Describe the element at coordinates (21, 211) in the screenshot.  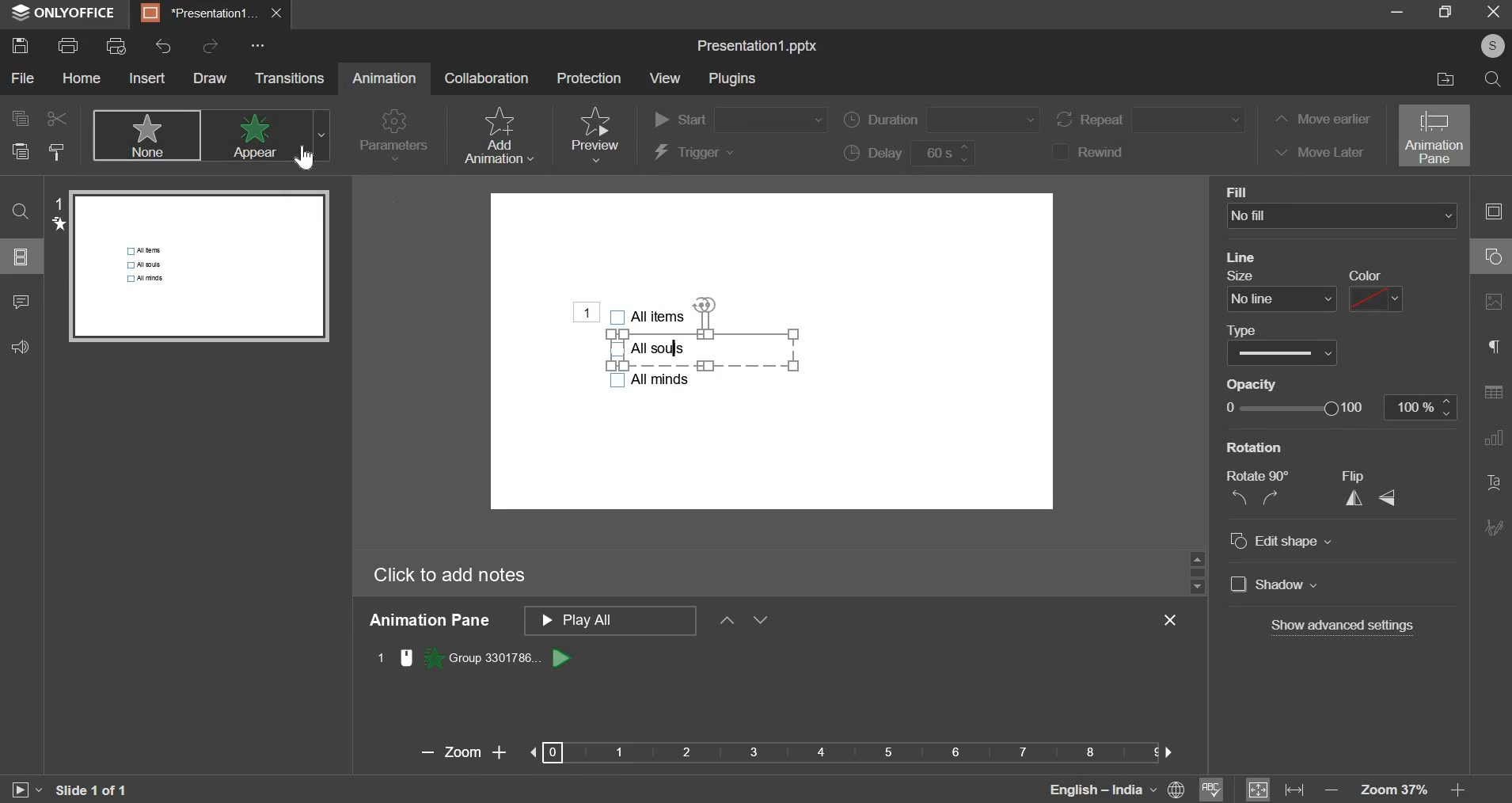
I see `find` at that location.